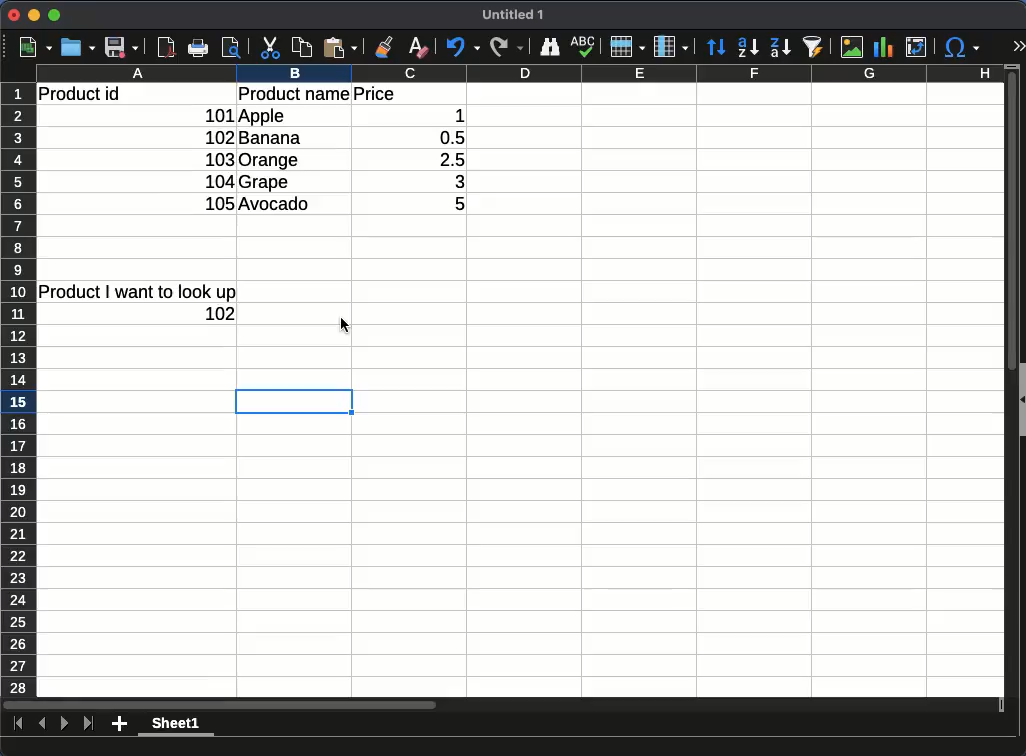  I want to click on vertical scroll, so click(1012, 381).